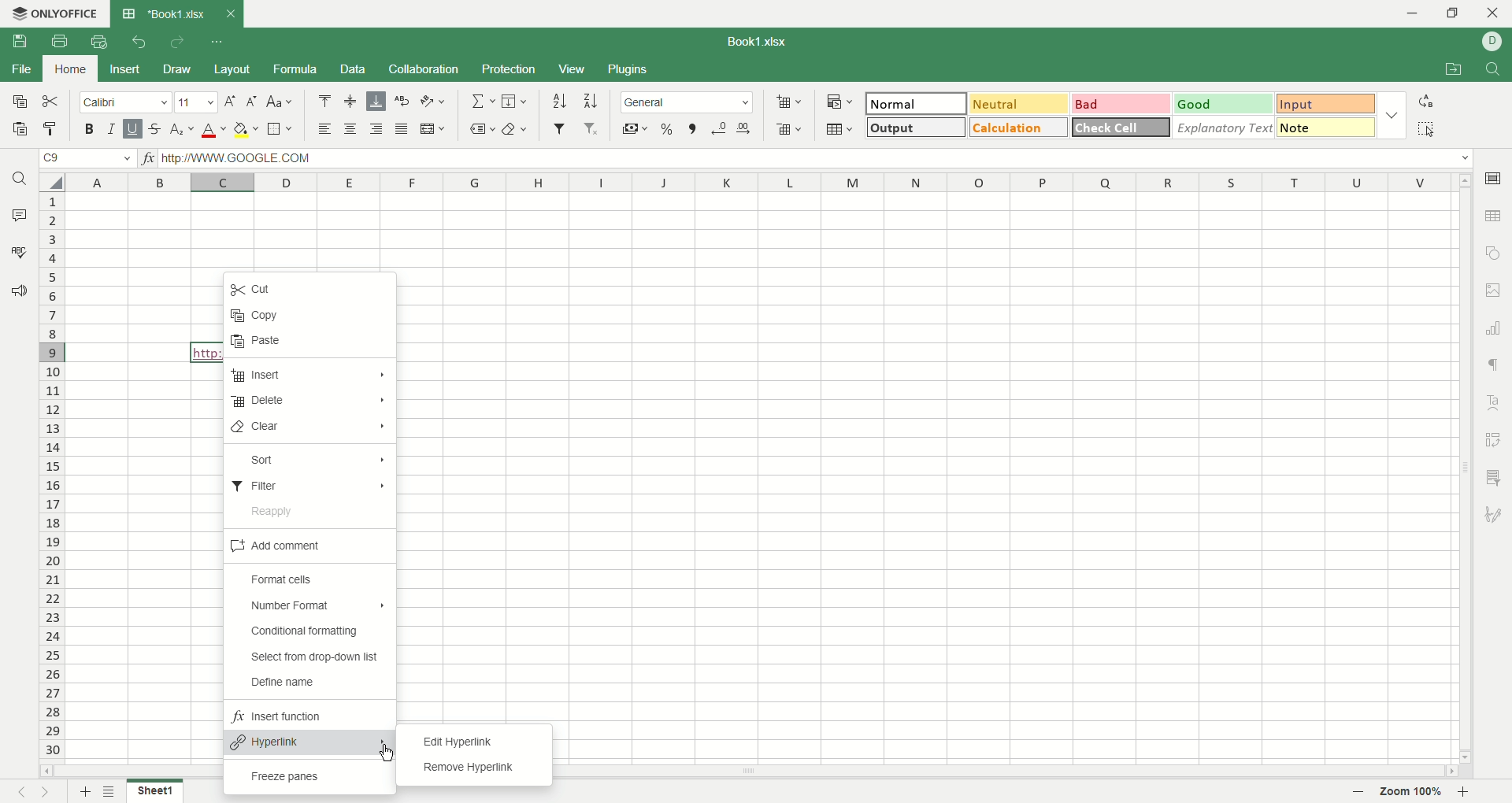  Describe the element at coordinates (51, 475) in the screenshot. I see `row number` at that location.